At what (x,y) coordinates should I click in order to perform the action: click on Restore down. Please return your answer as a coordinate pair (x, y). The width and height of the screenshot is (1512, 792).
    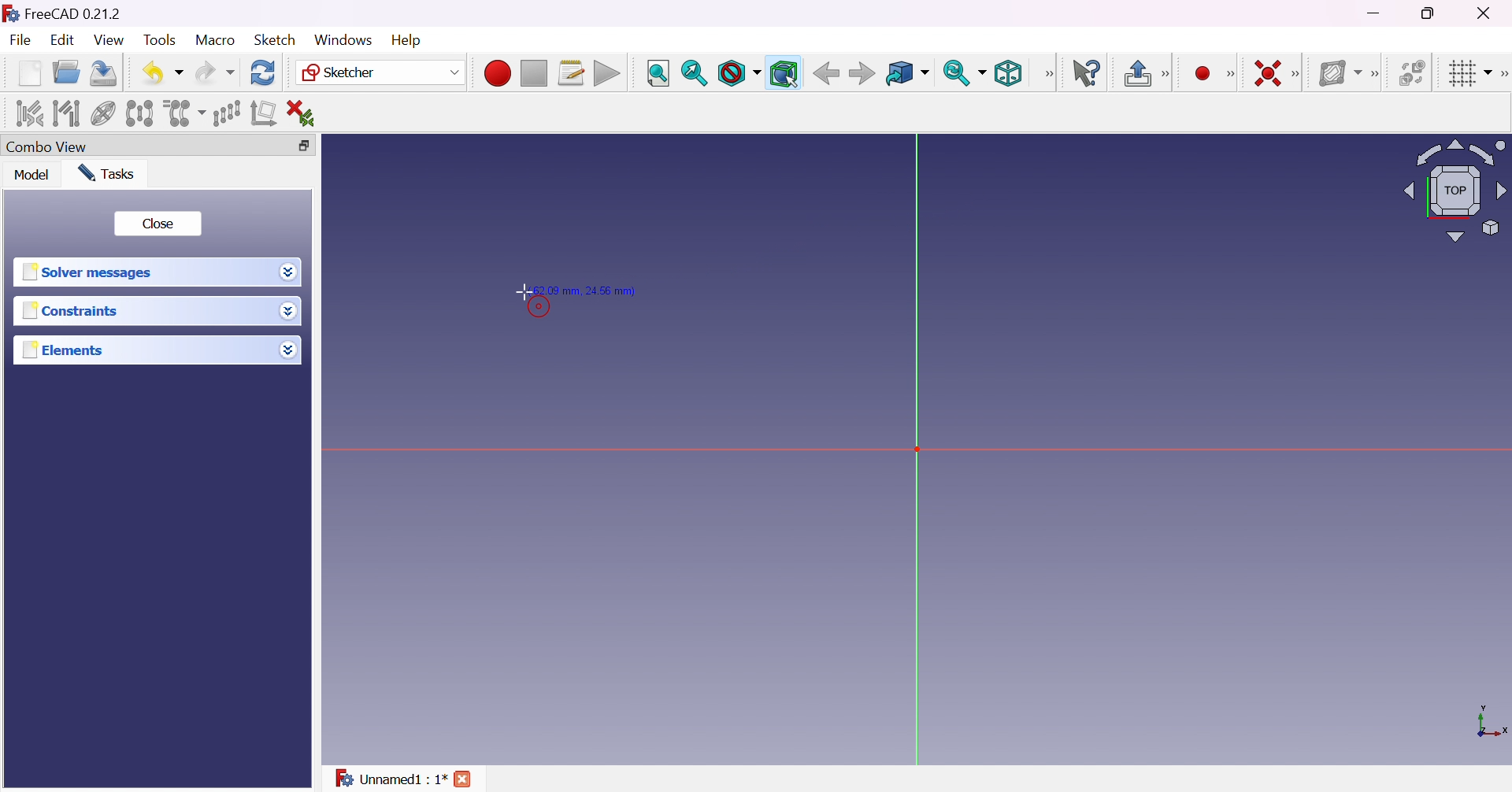
    Looking at the image, I should click on (1430, 13).